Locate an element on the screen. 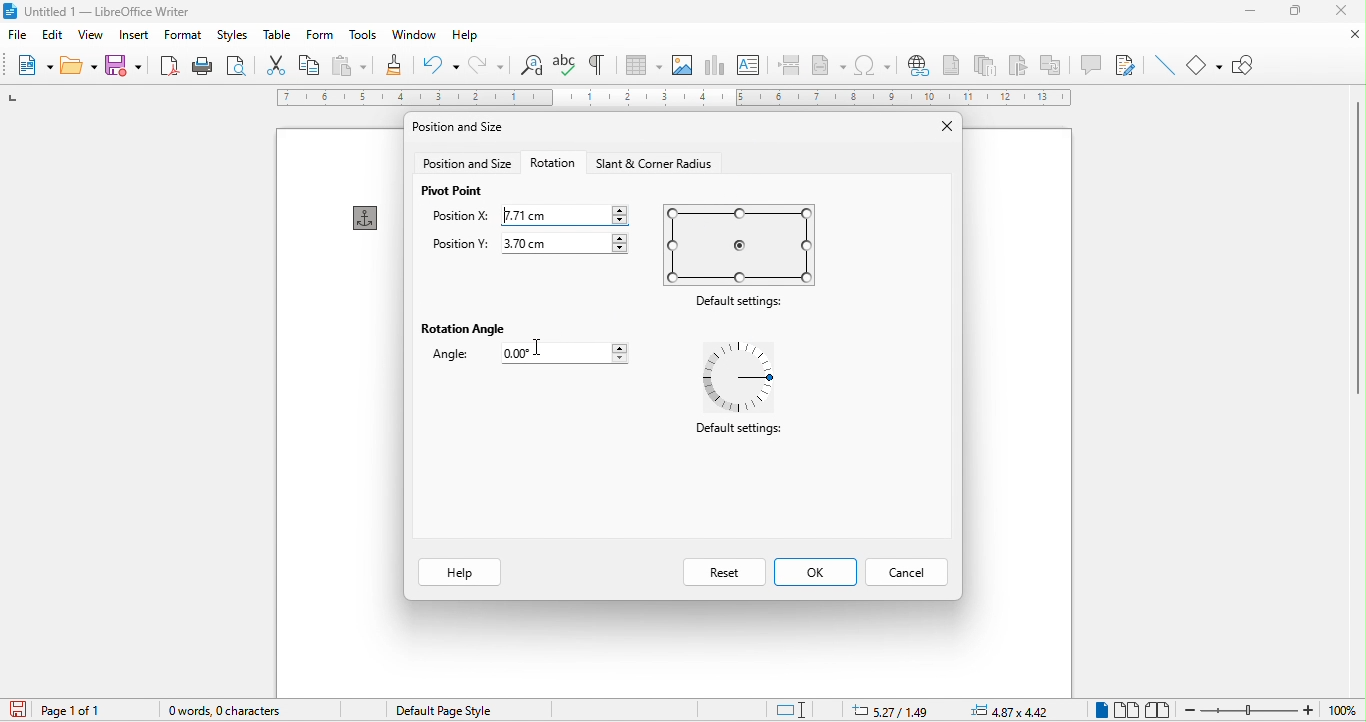  print is located at coordinates (200, 65).